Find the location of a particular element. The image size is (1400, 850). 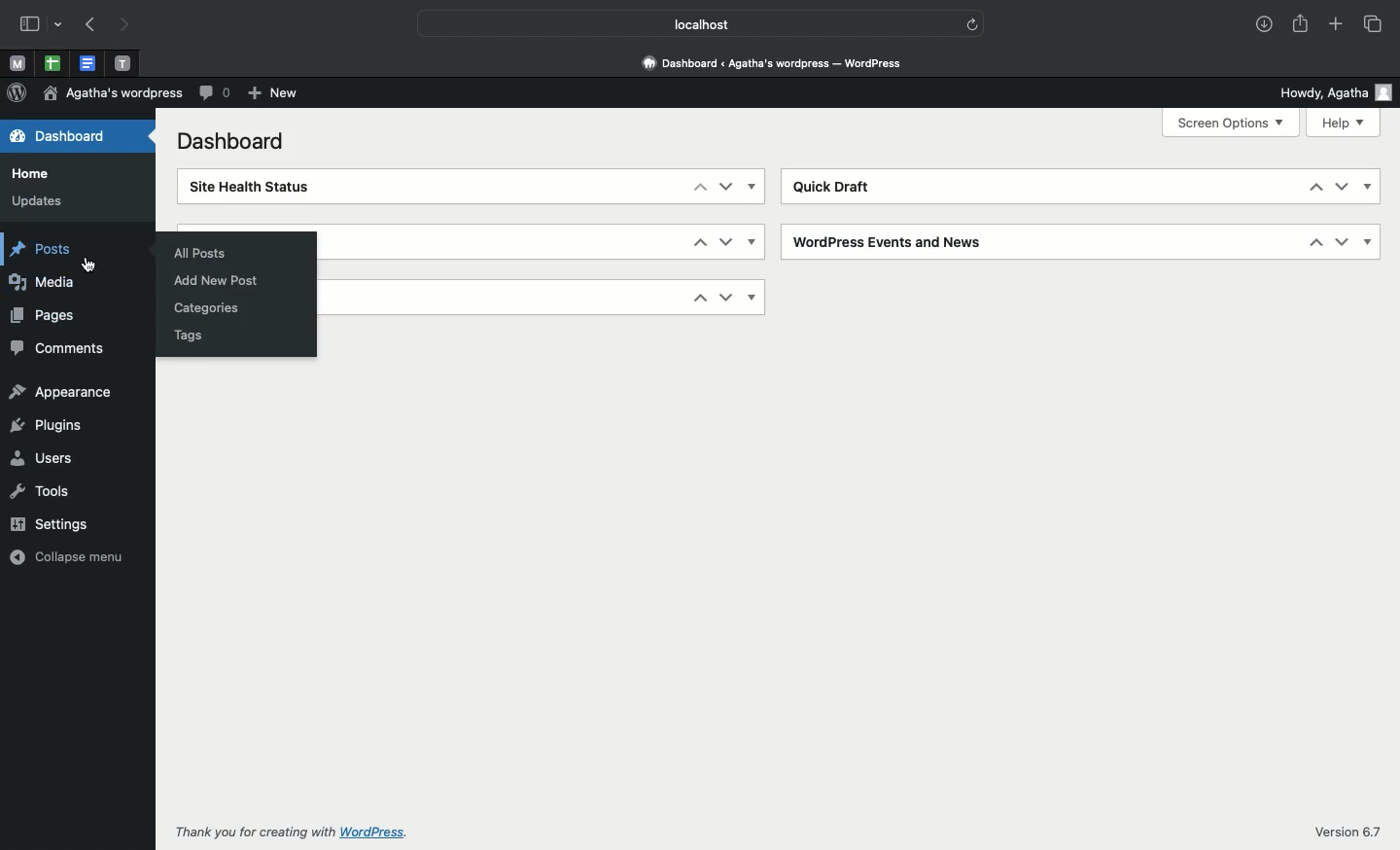

Media is located at coordinates (42, 281).